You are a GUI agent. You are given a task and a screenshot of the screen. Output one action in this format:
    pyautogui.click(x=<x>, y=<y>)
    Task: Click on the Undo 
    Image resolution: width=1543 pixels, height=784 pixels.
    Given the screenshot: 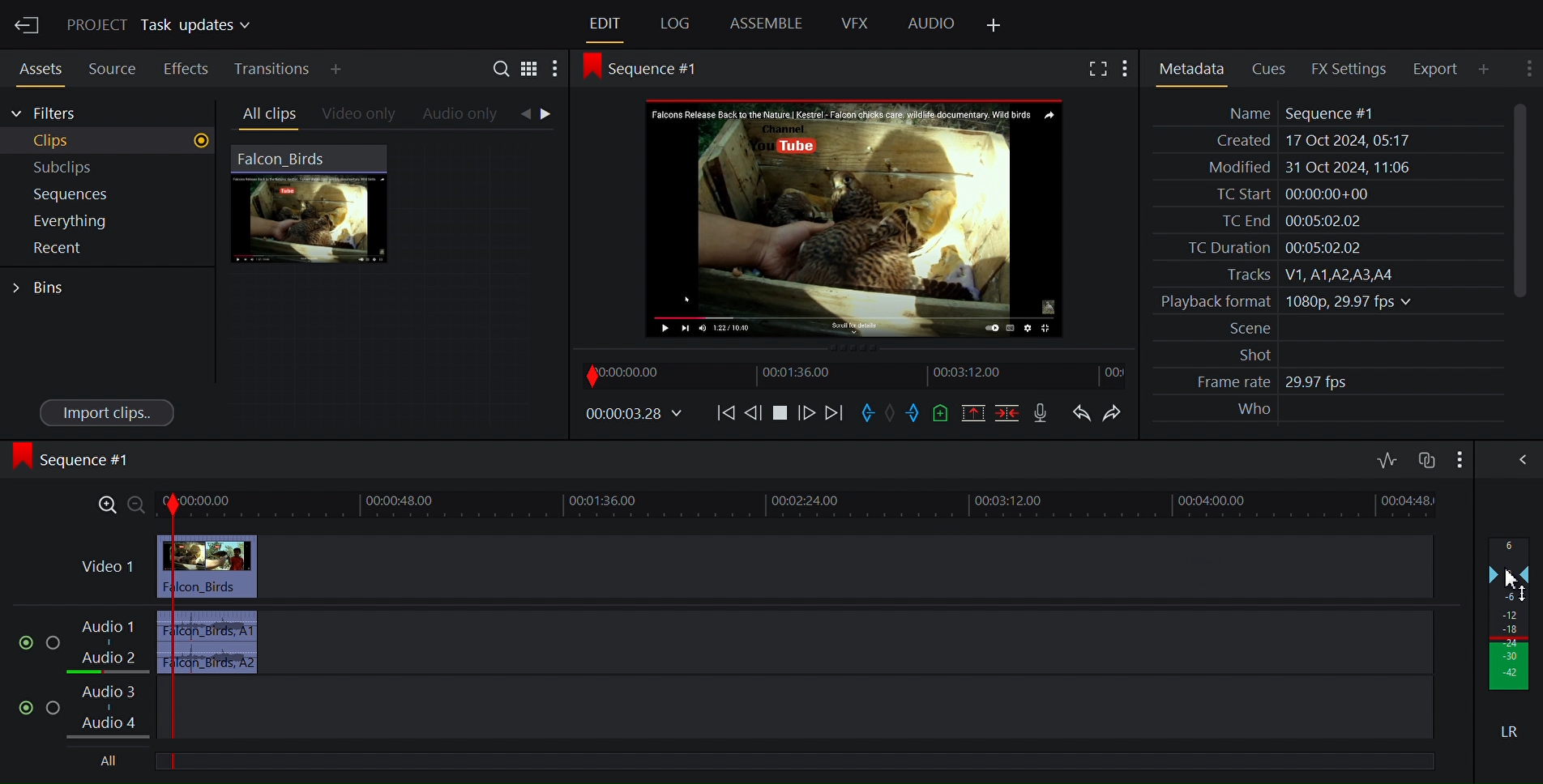 What is the action you would take?
    pyautogui.click(x=1082, y=411)
    